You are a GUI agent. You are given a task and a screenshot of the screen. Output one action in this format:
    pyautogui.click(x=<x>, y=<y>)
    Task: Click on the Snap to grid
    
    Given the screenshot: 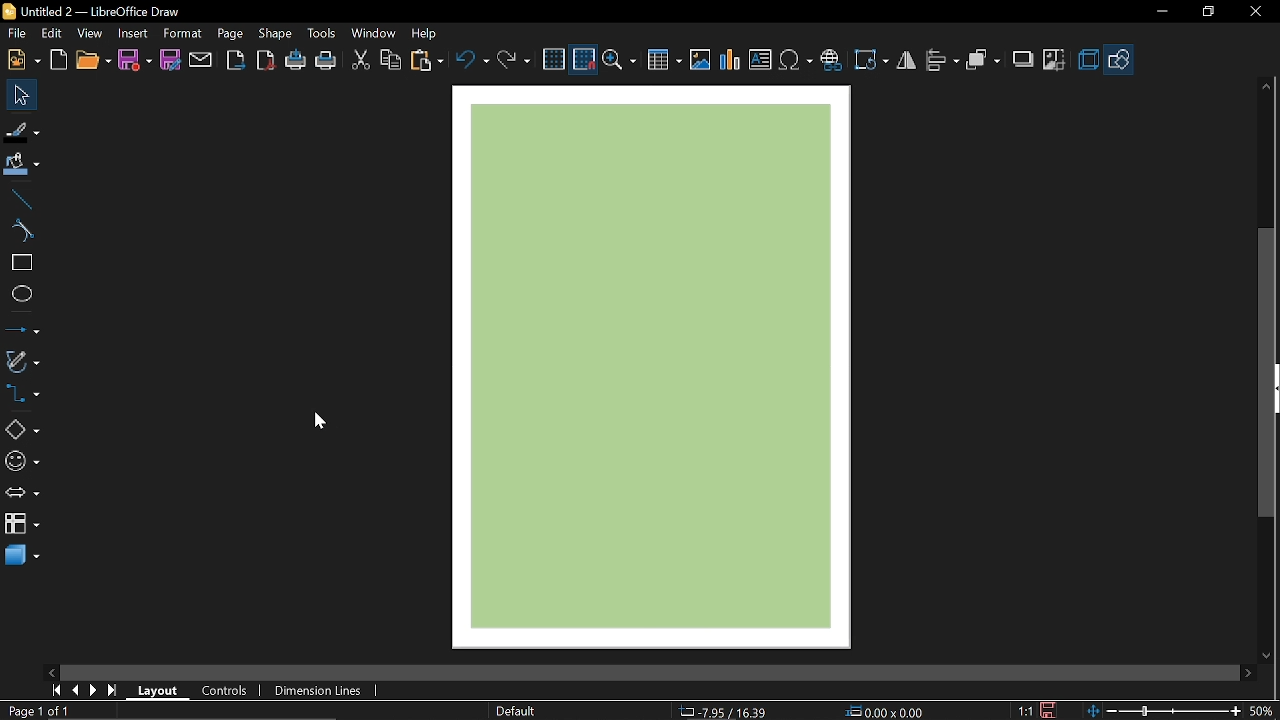 What is the action you would take?
    pyautogui.click(x=584, y=59)
    